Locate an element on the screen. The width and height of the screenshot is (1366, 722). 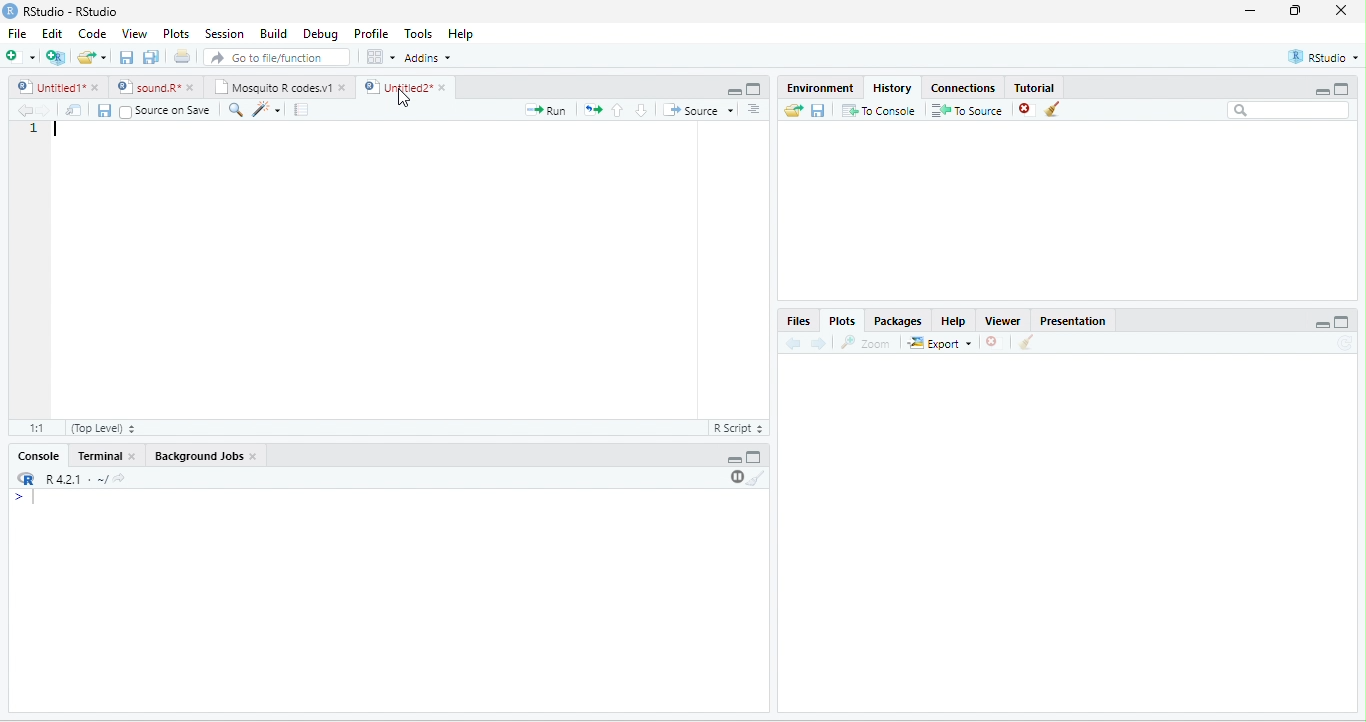
minimize is located at coordinates (1251, 10).